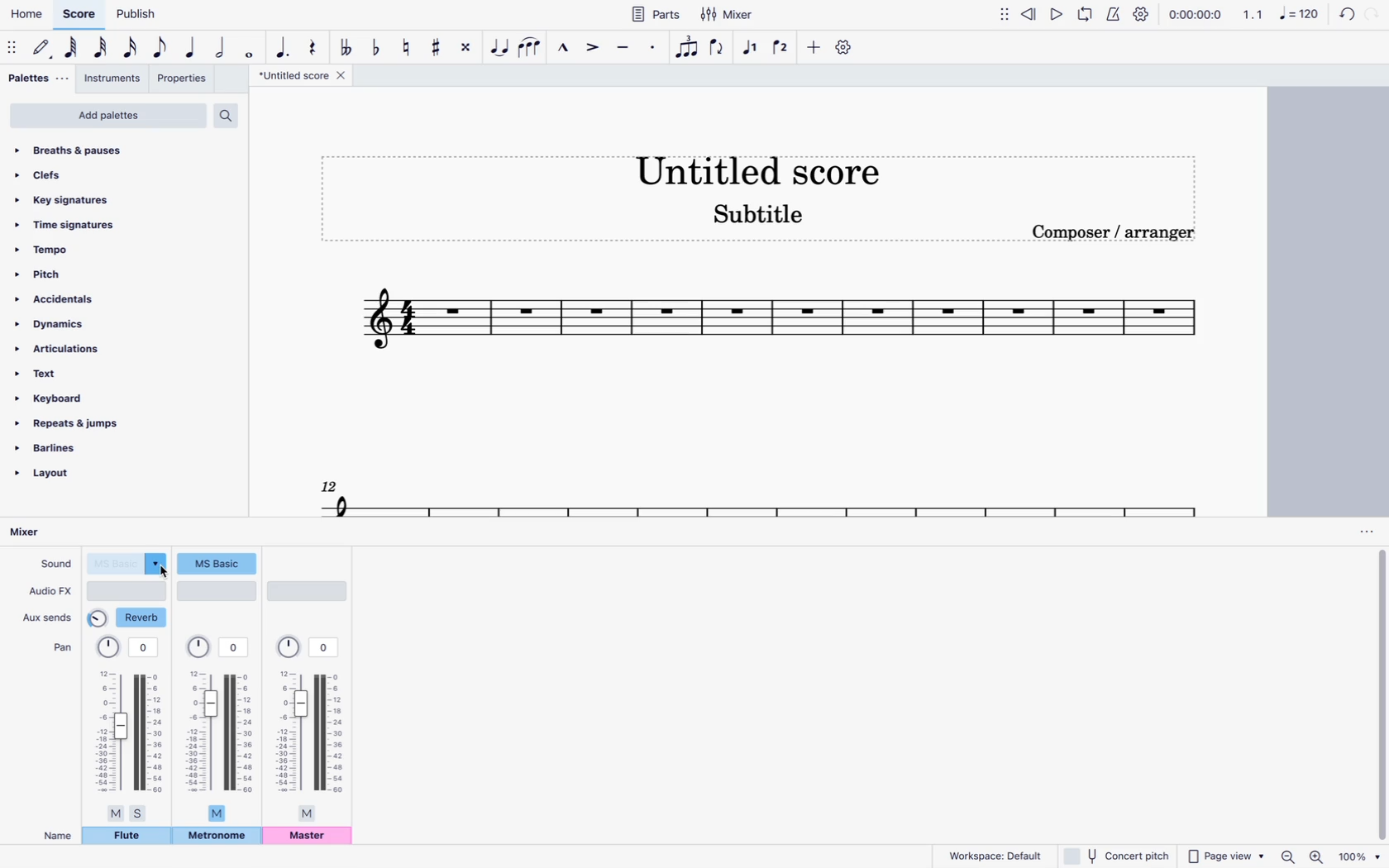 This screenshot has width=1389, height=868. I want to click on half note, so click(222, 49).